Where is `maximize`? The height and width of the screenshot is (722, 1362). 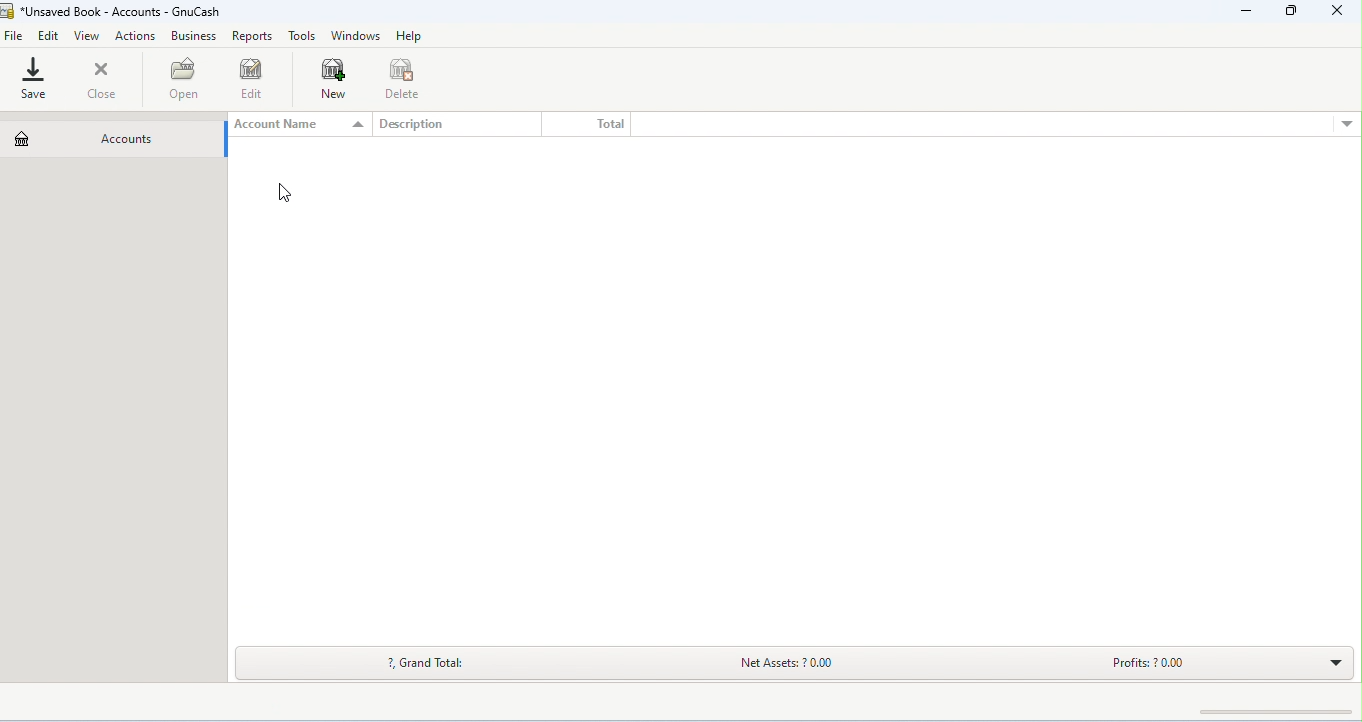 maximize is located at coordinates (1288, 10).